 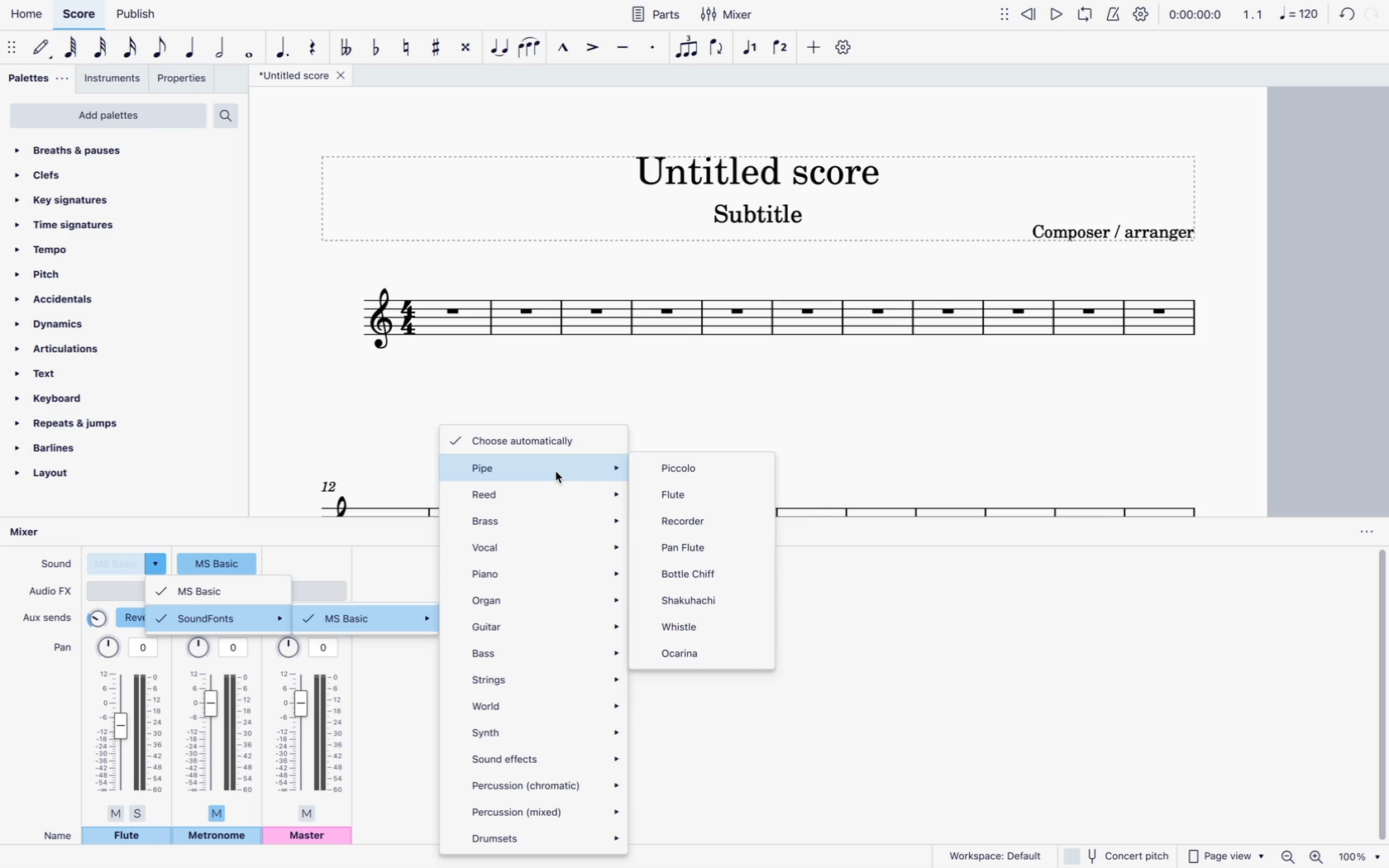 What do you see at coordinates (131, 50) in the screenshot?
I see `16th note` at bounding box center [131, 50].